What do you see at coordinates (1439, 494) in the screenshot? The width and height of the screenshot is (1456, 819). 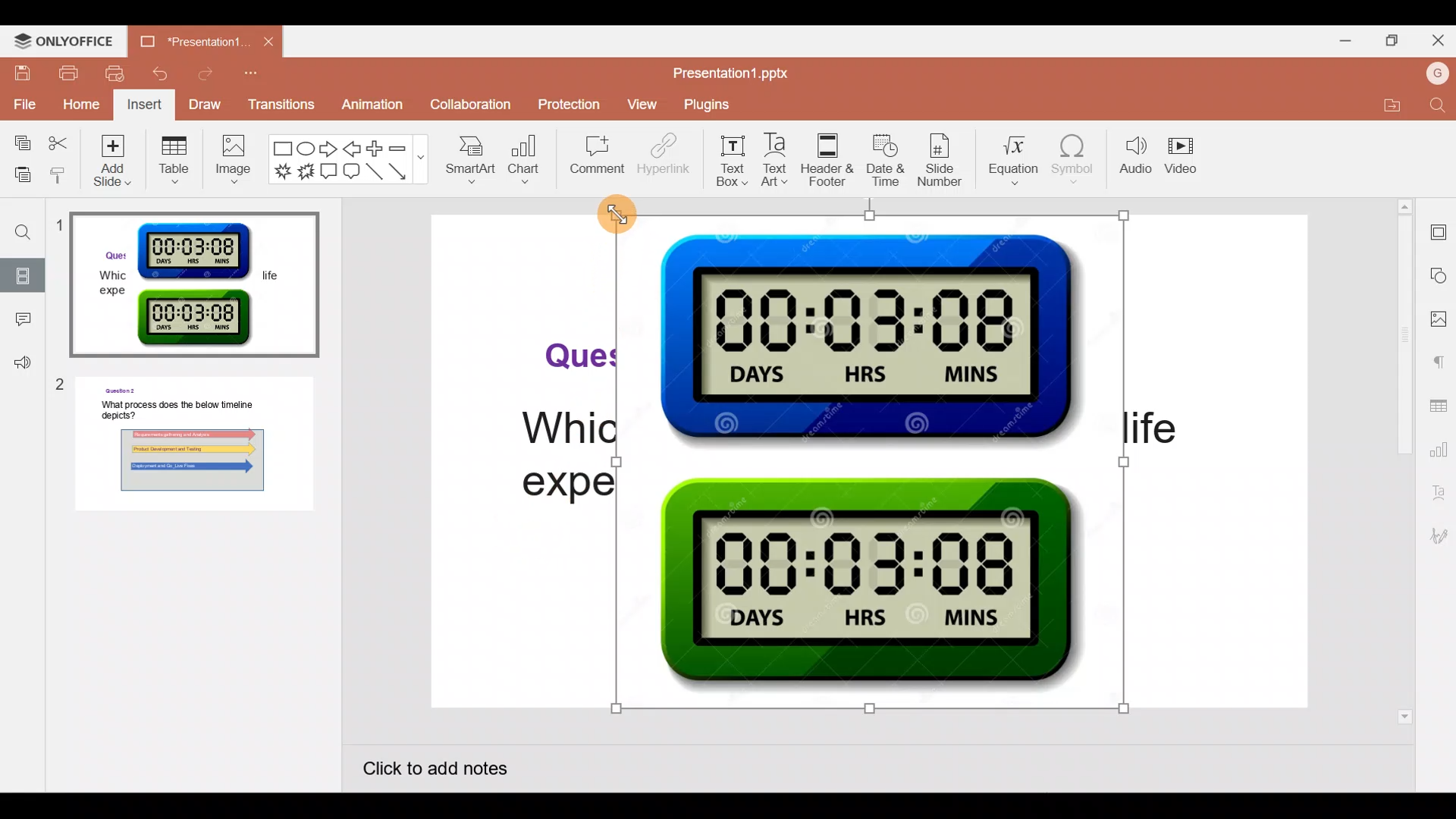 I see `Text Art settings` at bounding box center [1439, 494].